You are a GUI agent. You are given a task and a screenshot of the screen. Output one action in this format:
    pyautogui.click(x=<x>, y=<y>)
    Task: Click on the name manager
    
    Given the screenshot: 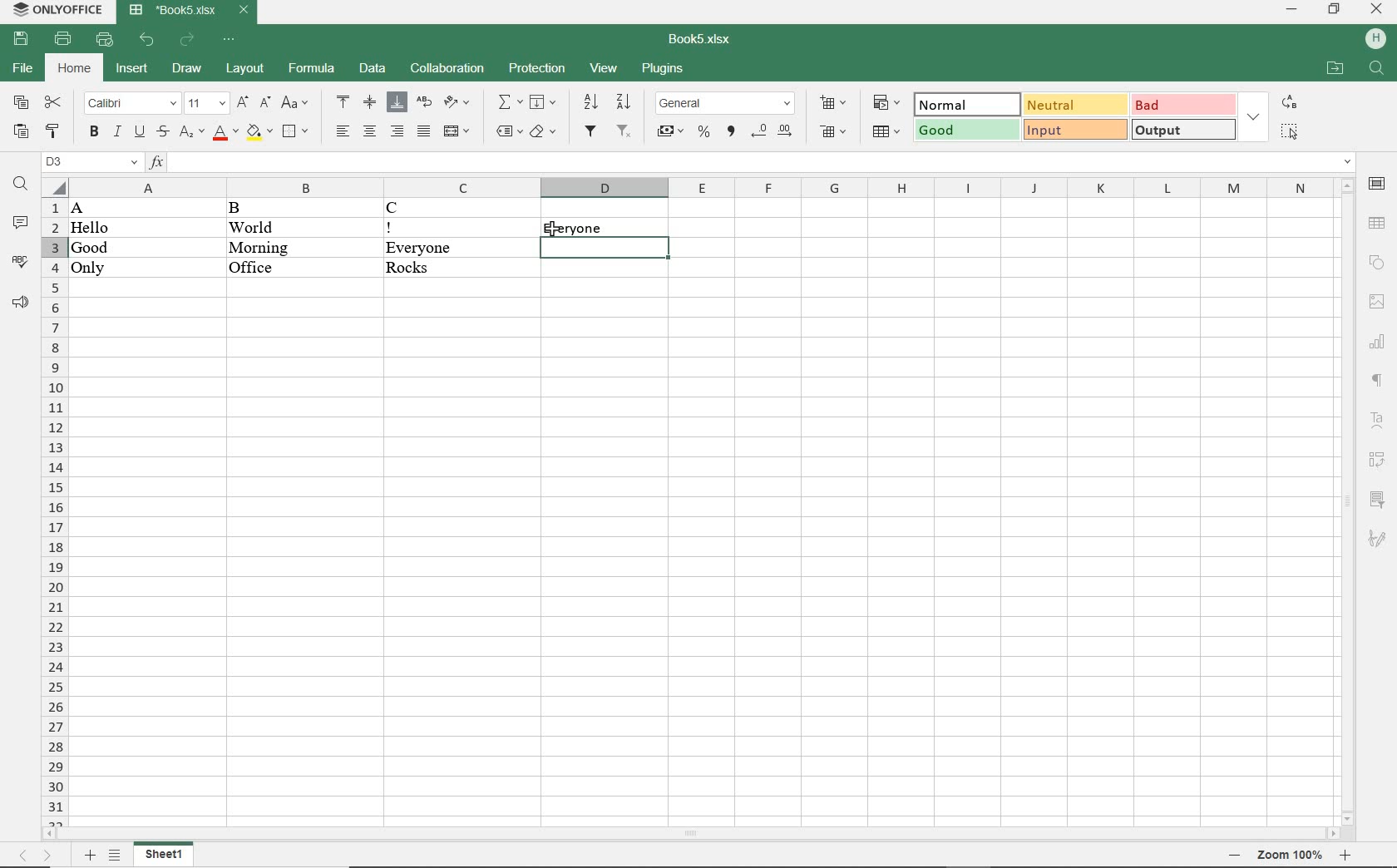 What is the action you would take?
    pyautogui.click(x=91, y=161)
    